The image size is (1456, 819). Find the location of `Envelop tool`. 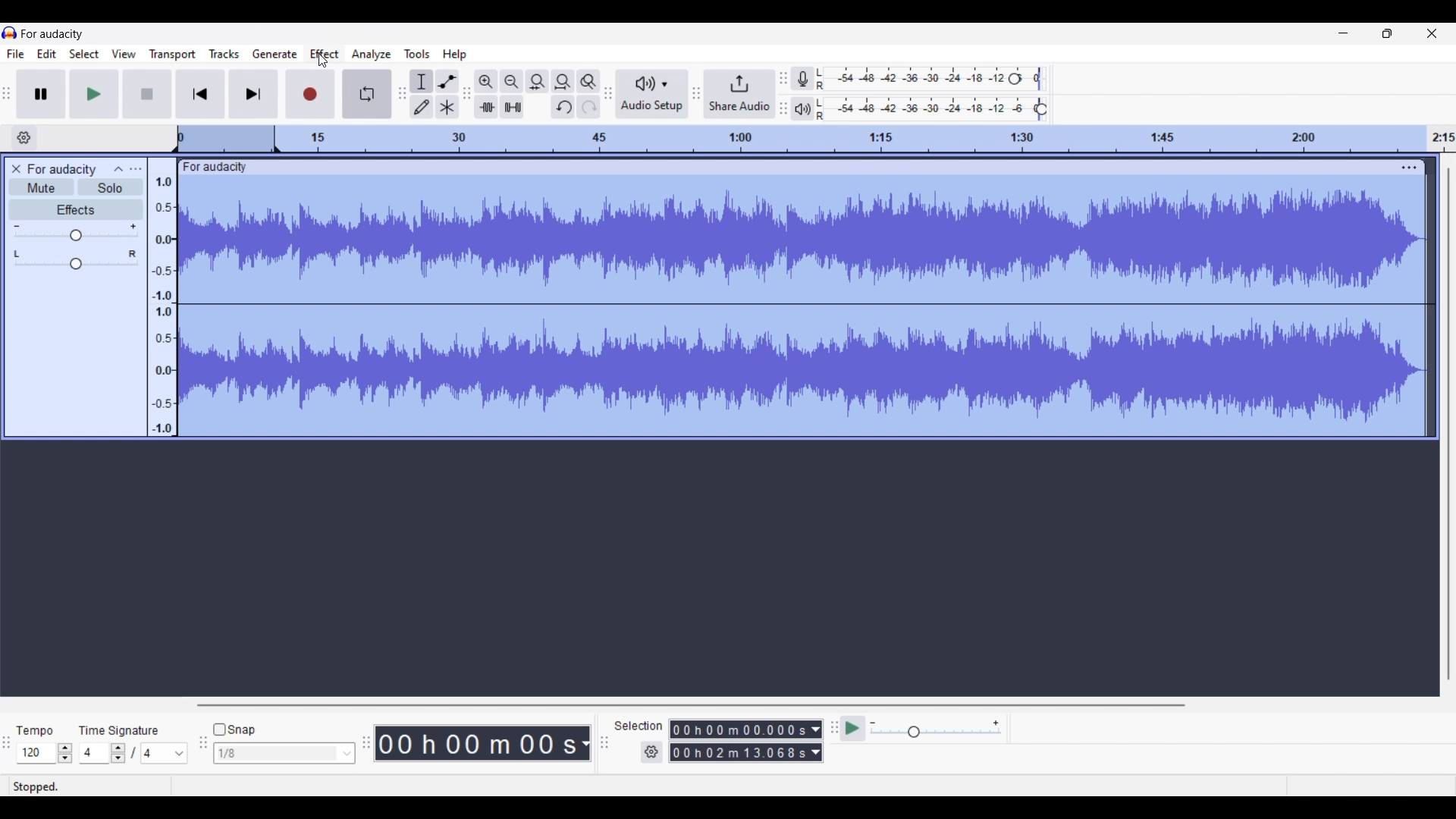

Envelop tool is located at coordinates (447, 81).